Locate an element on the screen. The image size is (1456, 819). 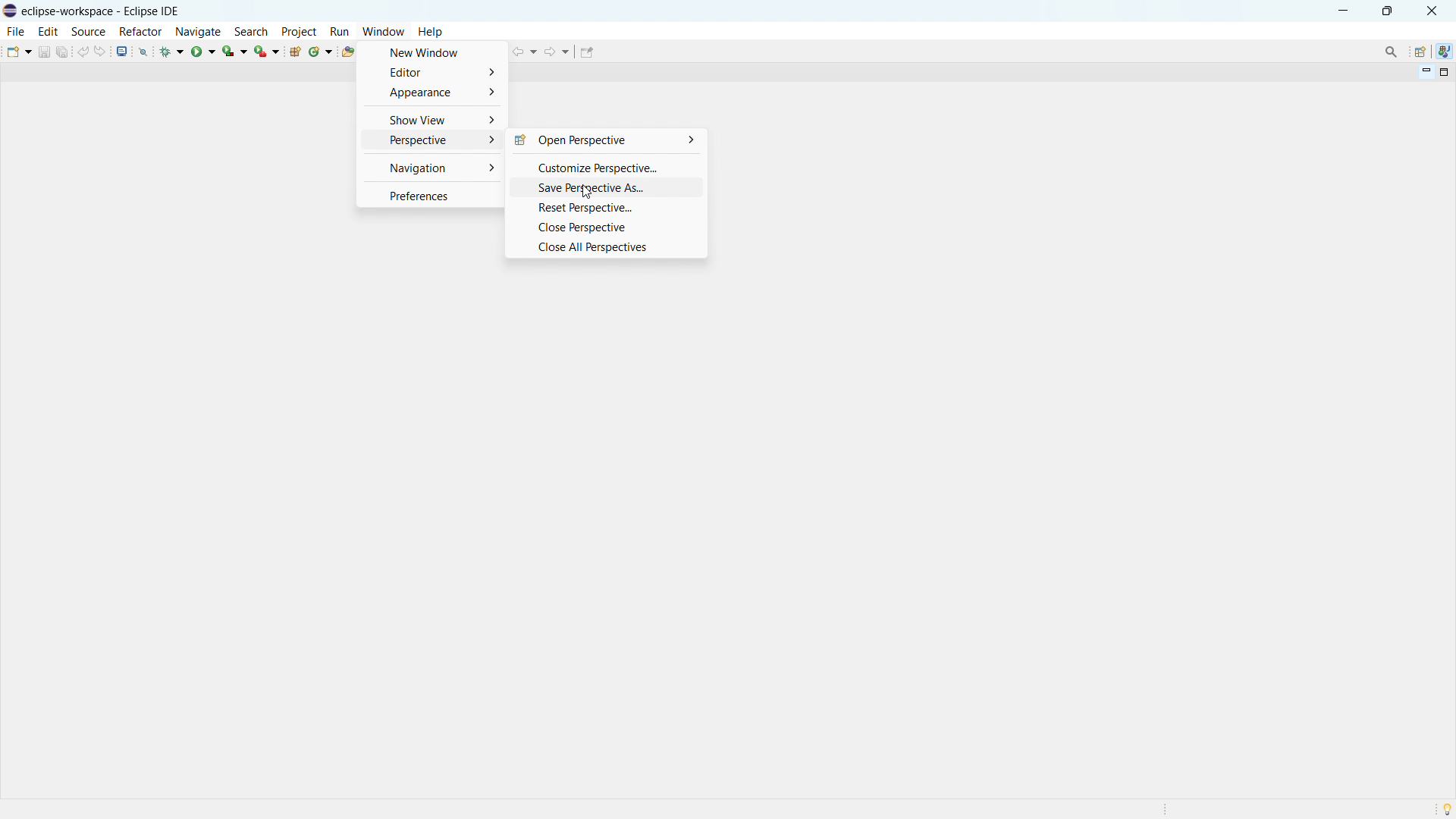
java is located at coordinates (1445, 52).